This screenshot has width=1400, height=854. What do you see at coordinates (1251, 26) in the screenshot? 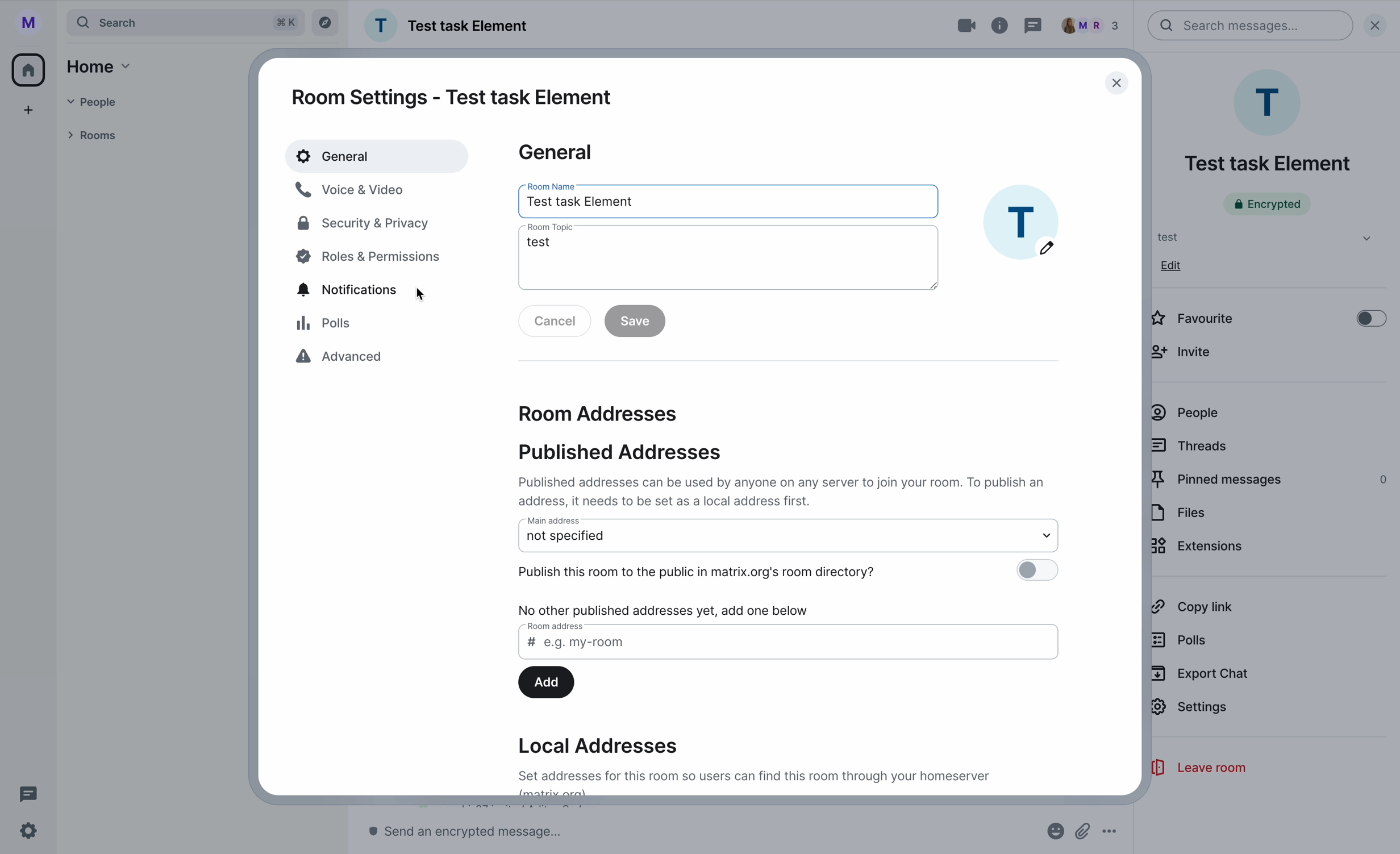
I see `search bar` at bounding box center [1251, 26].